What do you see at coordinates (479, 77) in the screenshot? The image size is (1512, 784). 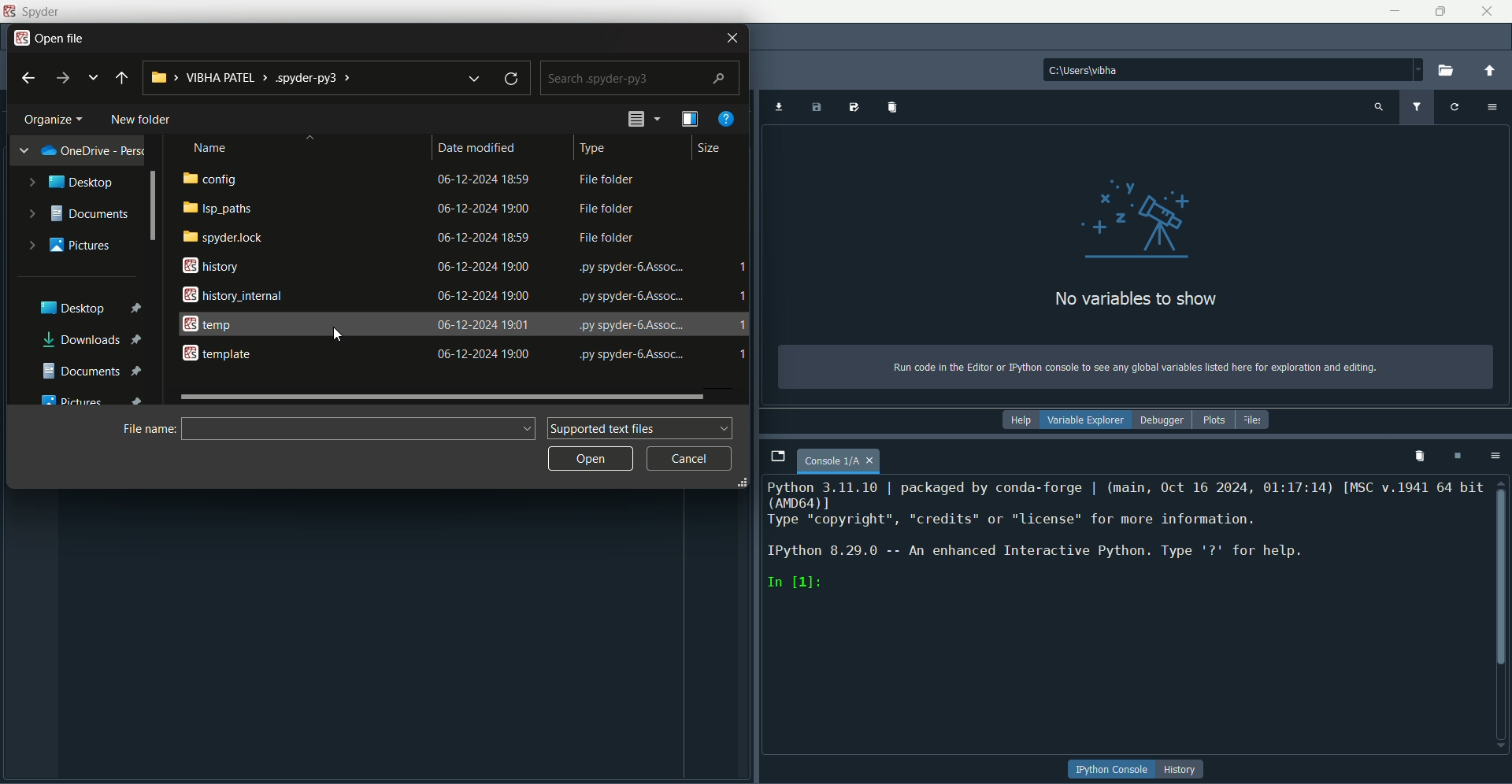 I see `down arrow` at bounding box center [479, 77].